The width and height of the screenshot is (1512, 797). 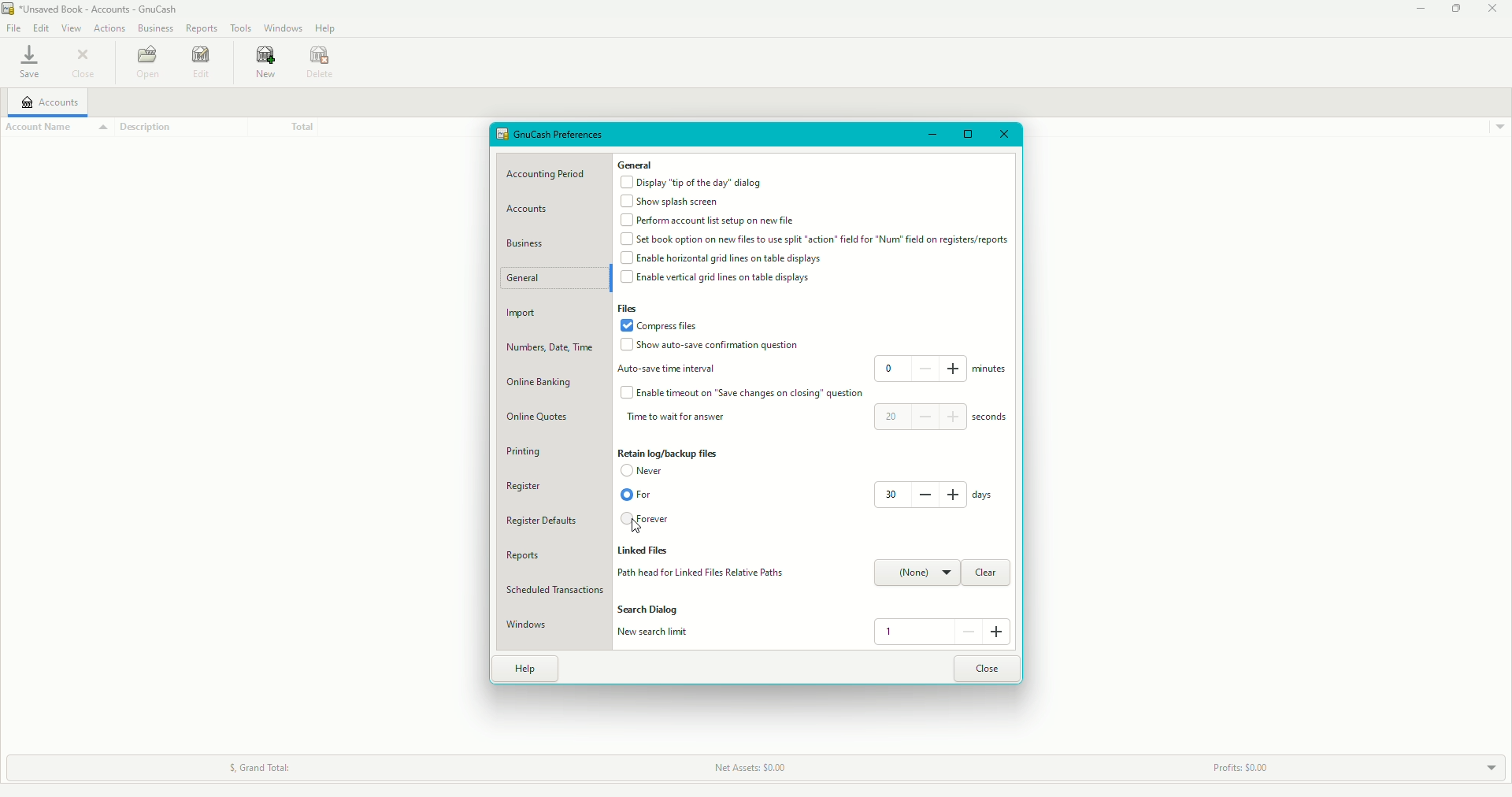 I want to click on Restore, so click(x=966, y=135).